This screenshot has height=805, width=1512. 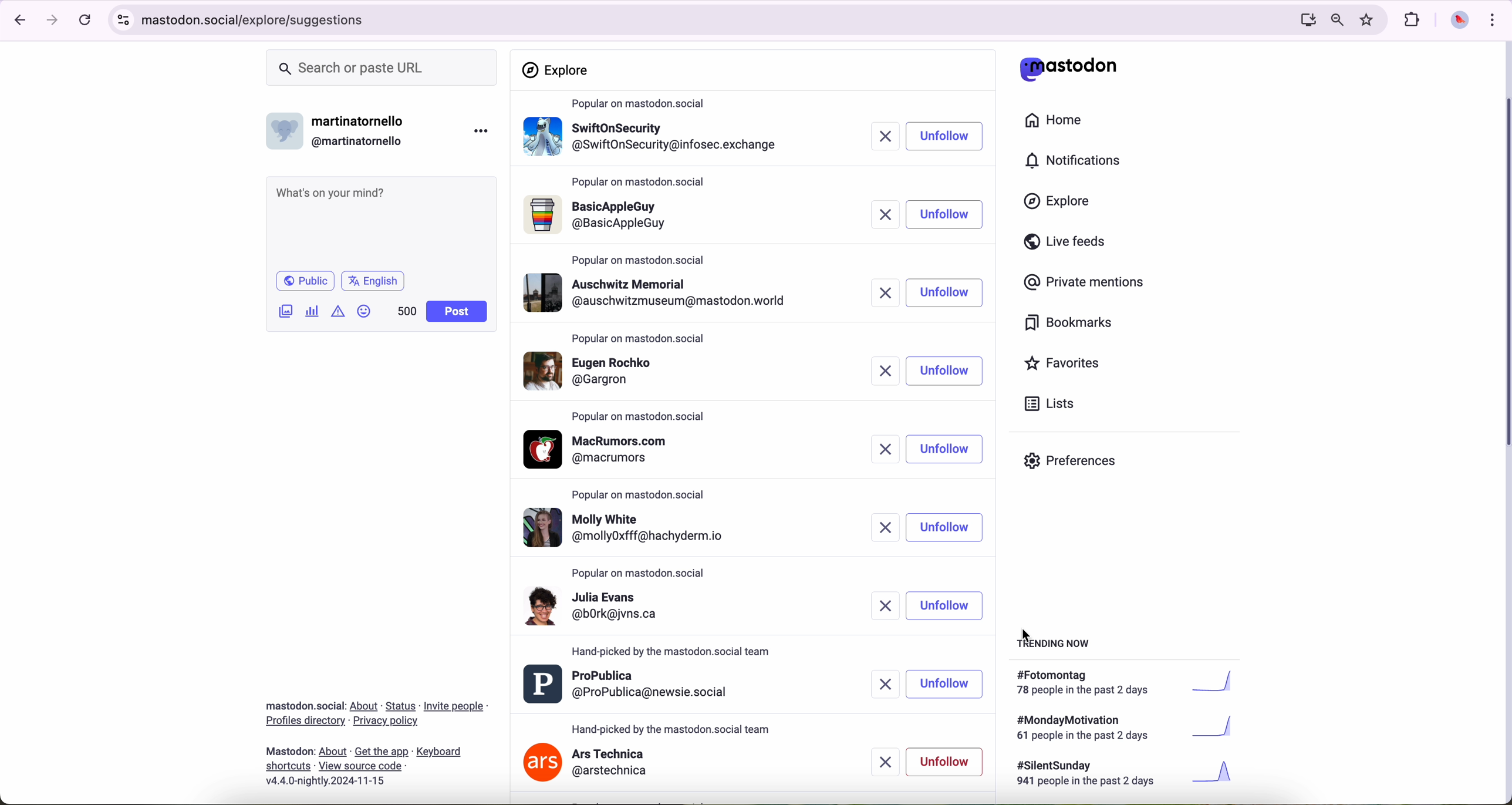 What do you see at coordinates (643, 497) in the screenshot?
I see `popular on mastodon.social` at bounding box center [643, 497].